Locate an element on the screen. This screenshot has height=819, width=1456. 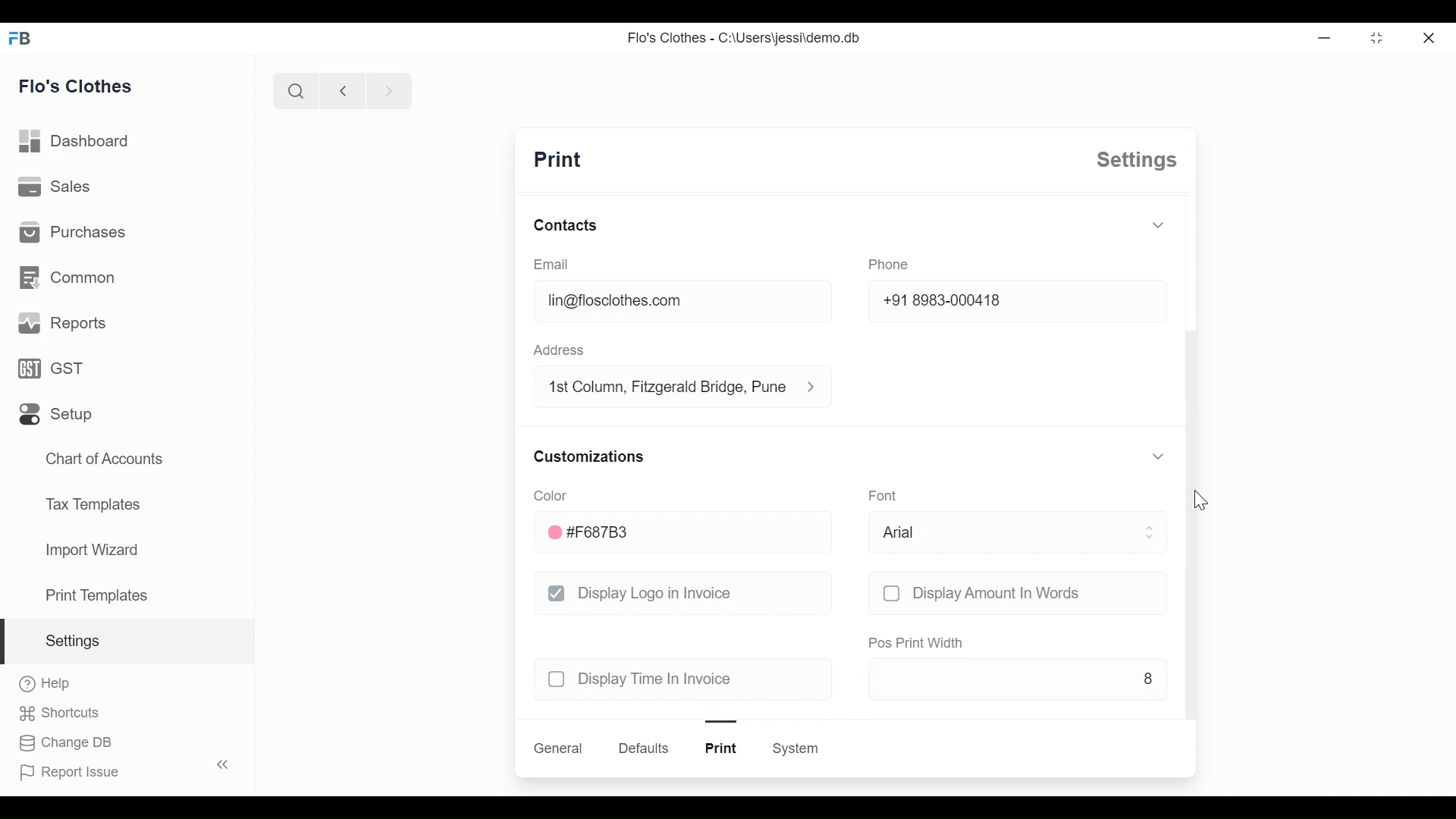
settings is located at coordinates (71, 641).